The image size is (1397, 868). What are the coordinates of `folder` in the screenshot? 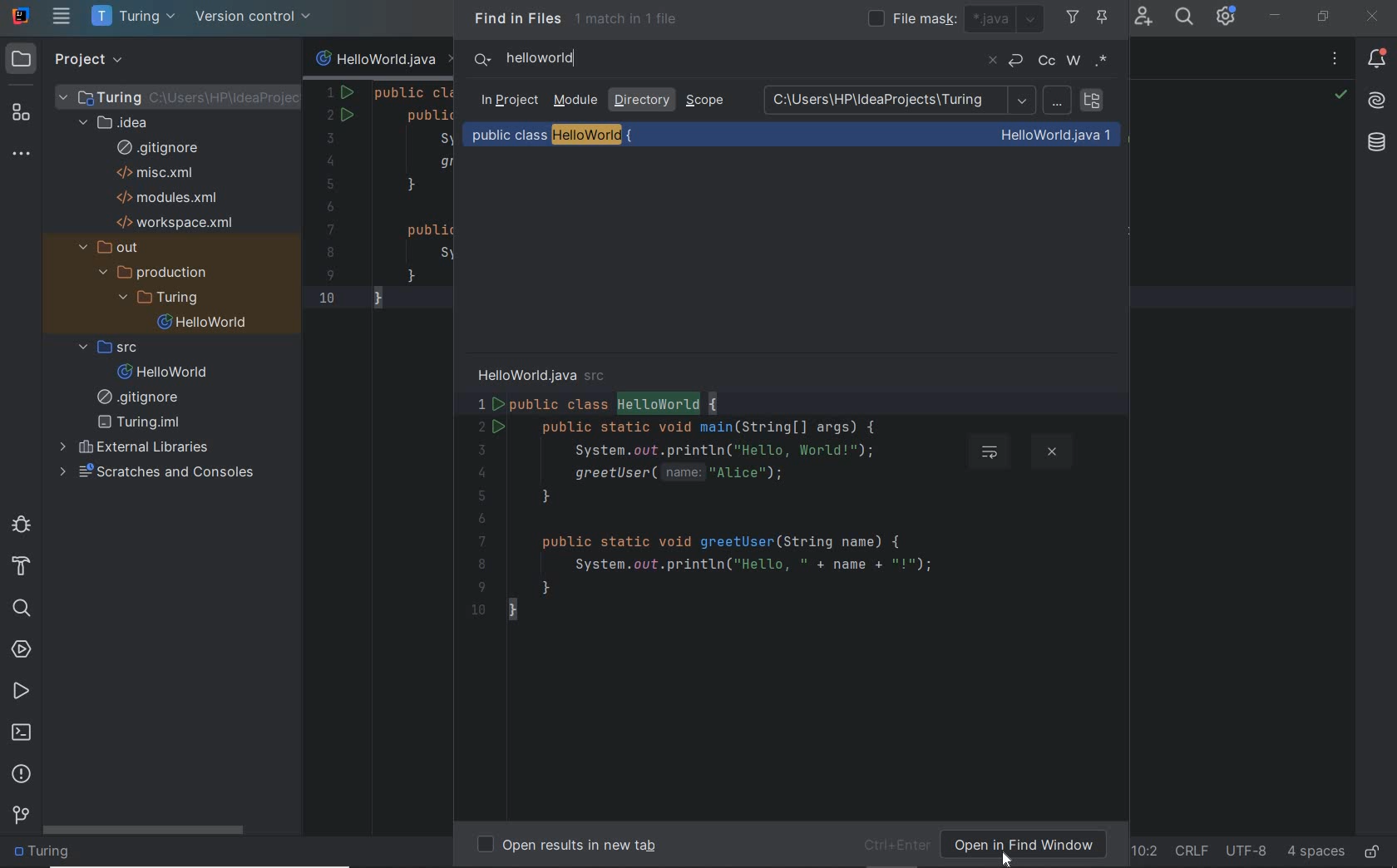 It's located at (50, 853).